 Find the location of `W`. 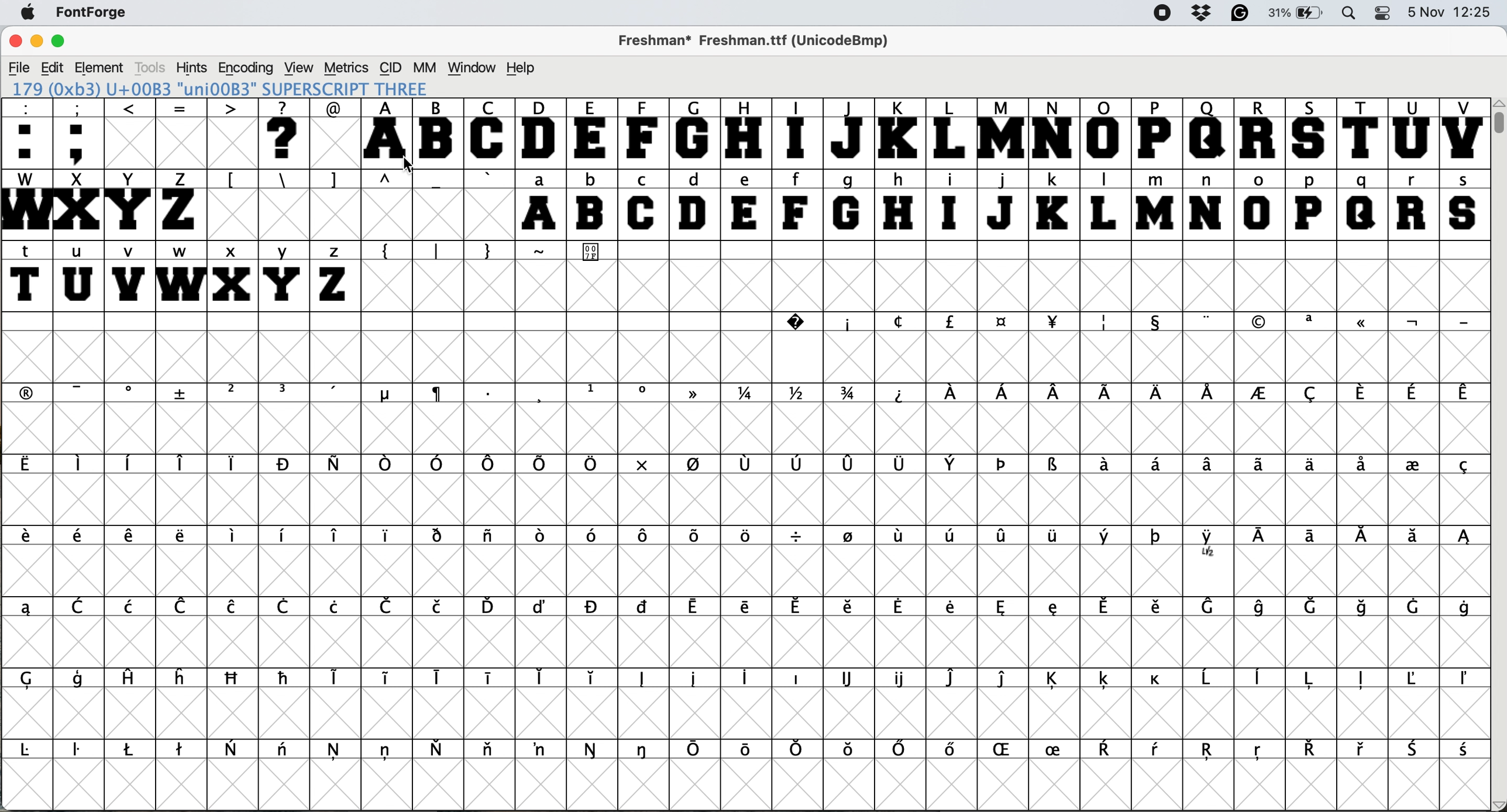

W is located at coordinates (25, 204).